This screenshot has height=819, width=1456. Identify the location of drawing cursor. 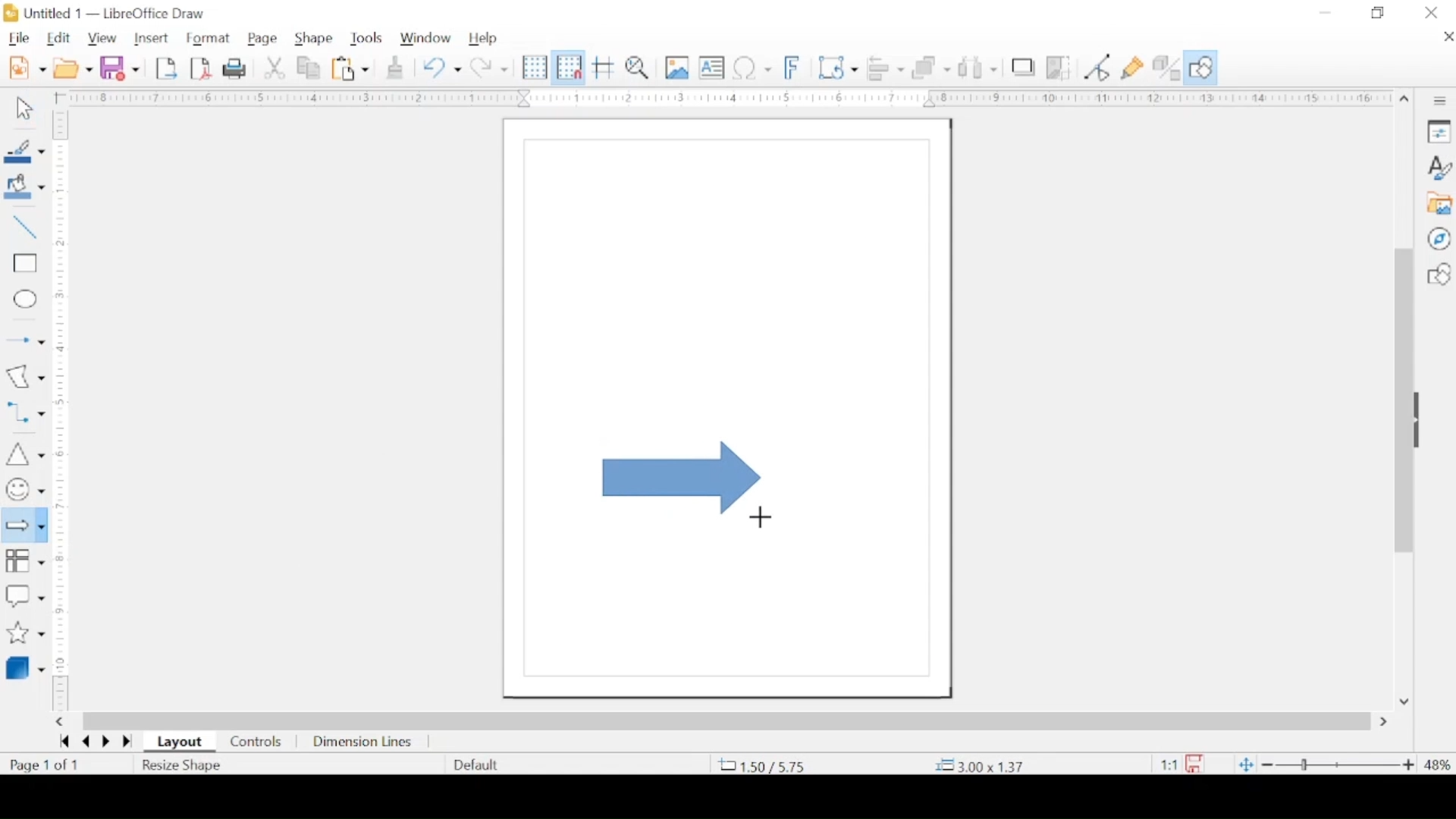
(761, 518).